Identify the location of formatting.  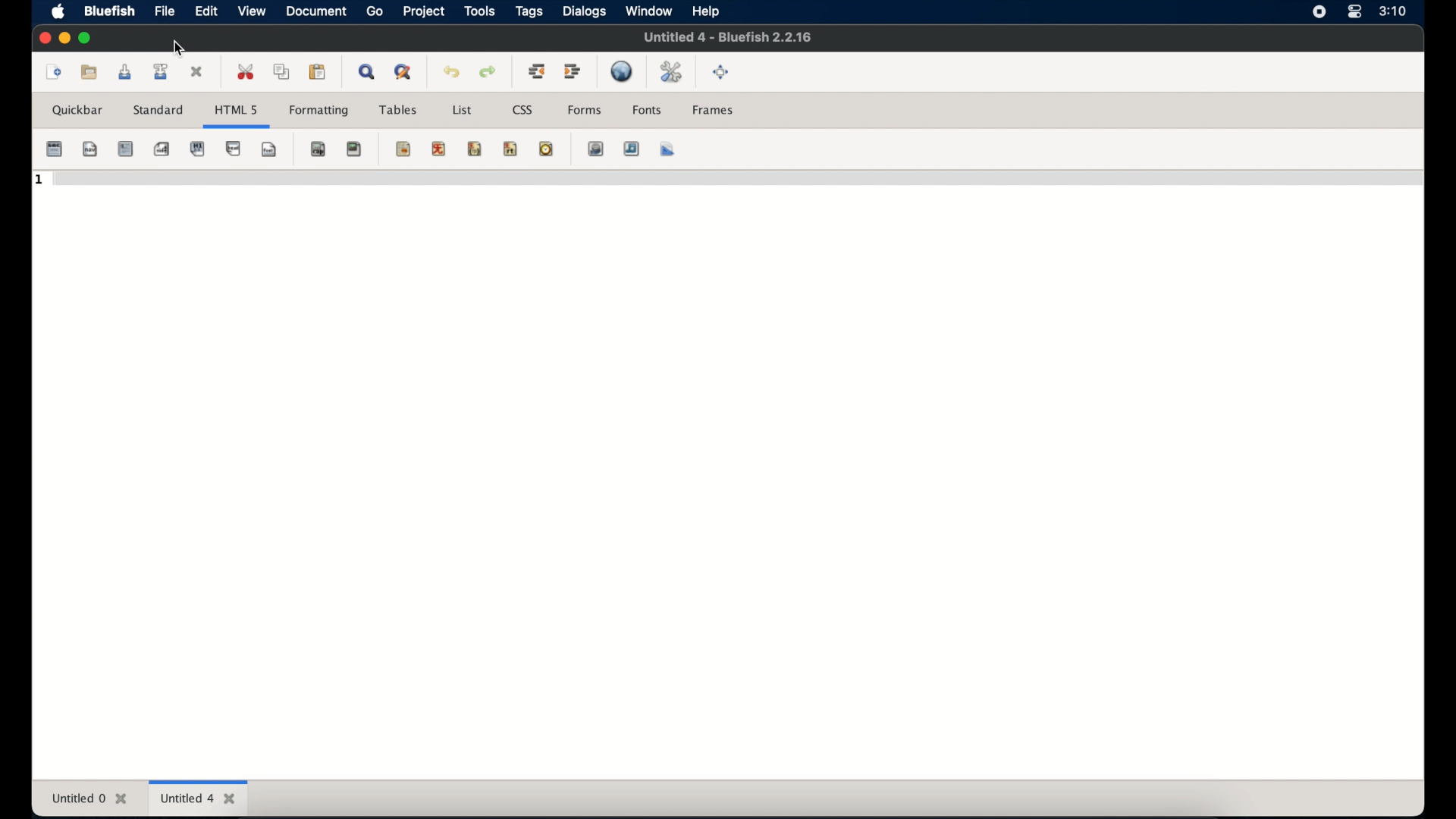
(319, 111).